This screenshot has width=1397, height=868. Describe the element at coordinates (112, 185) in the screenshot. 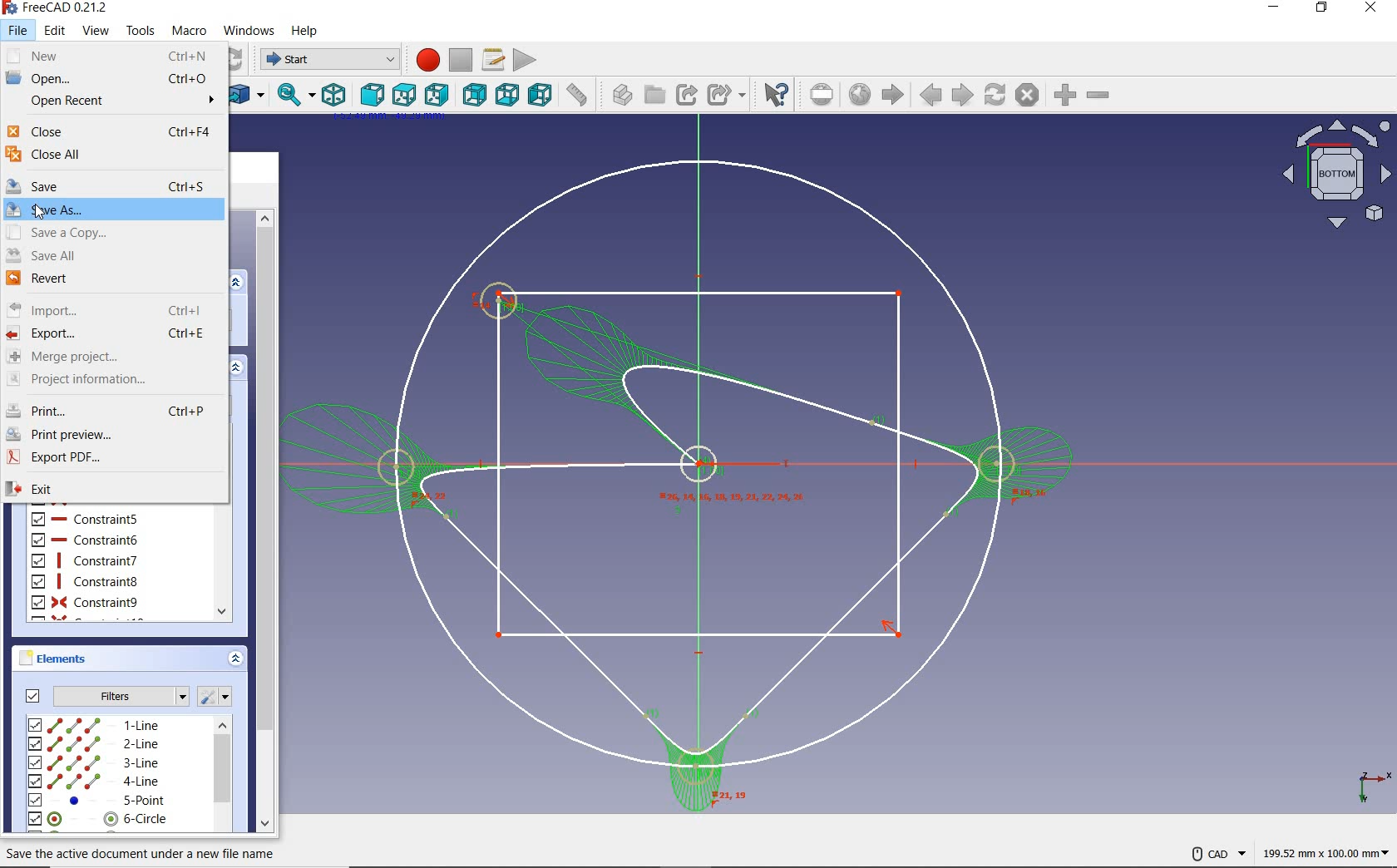

I see `save` at that location.